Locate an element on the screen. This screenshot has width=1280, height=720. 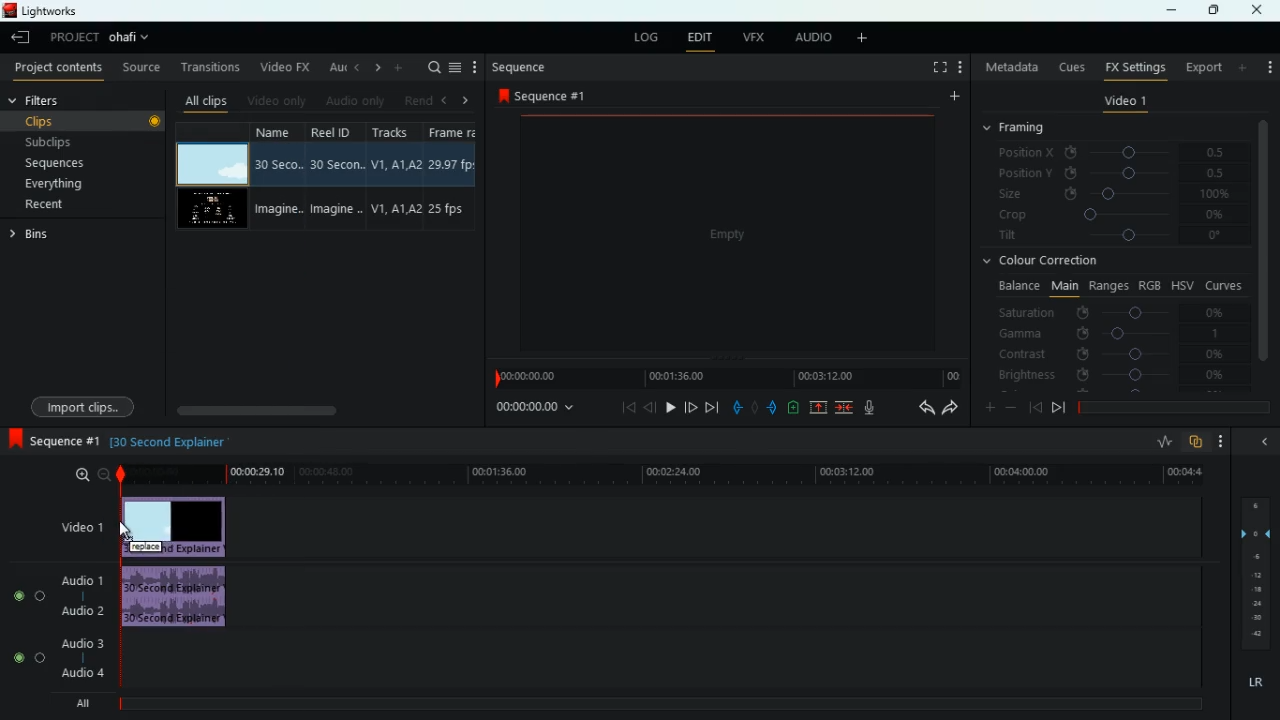
video fx is located at coordinates (283, 66).